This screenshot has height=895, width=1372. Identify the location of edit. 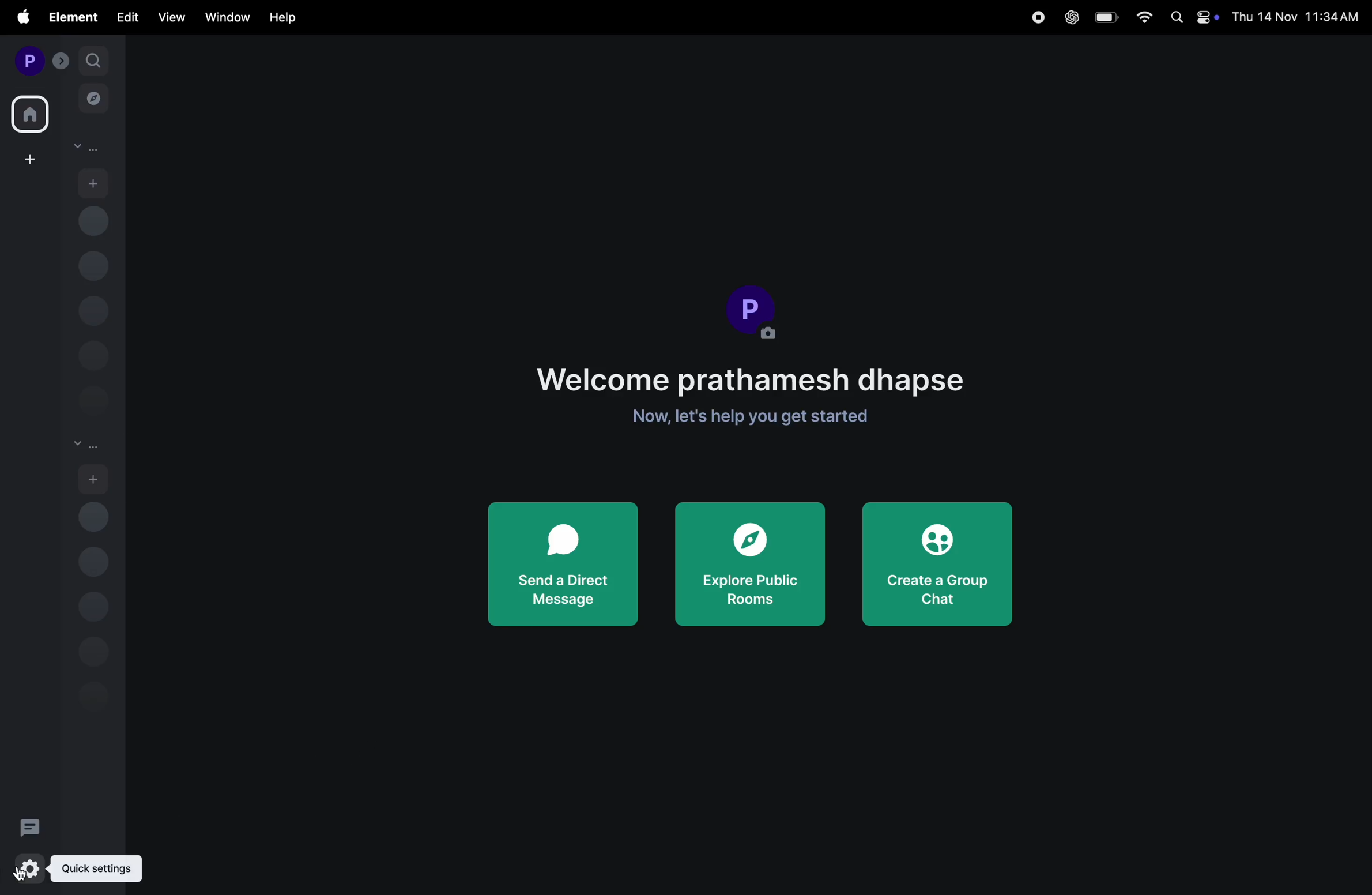
(127, 18).